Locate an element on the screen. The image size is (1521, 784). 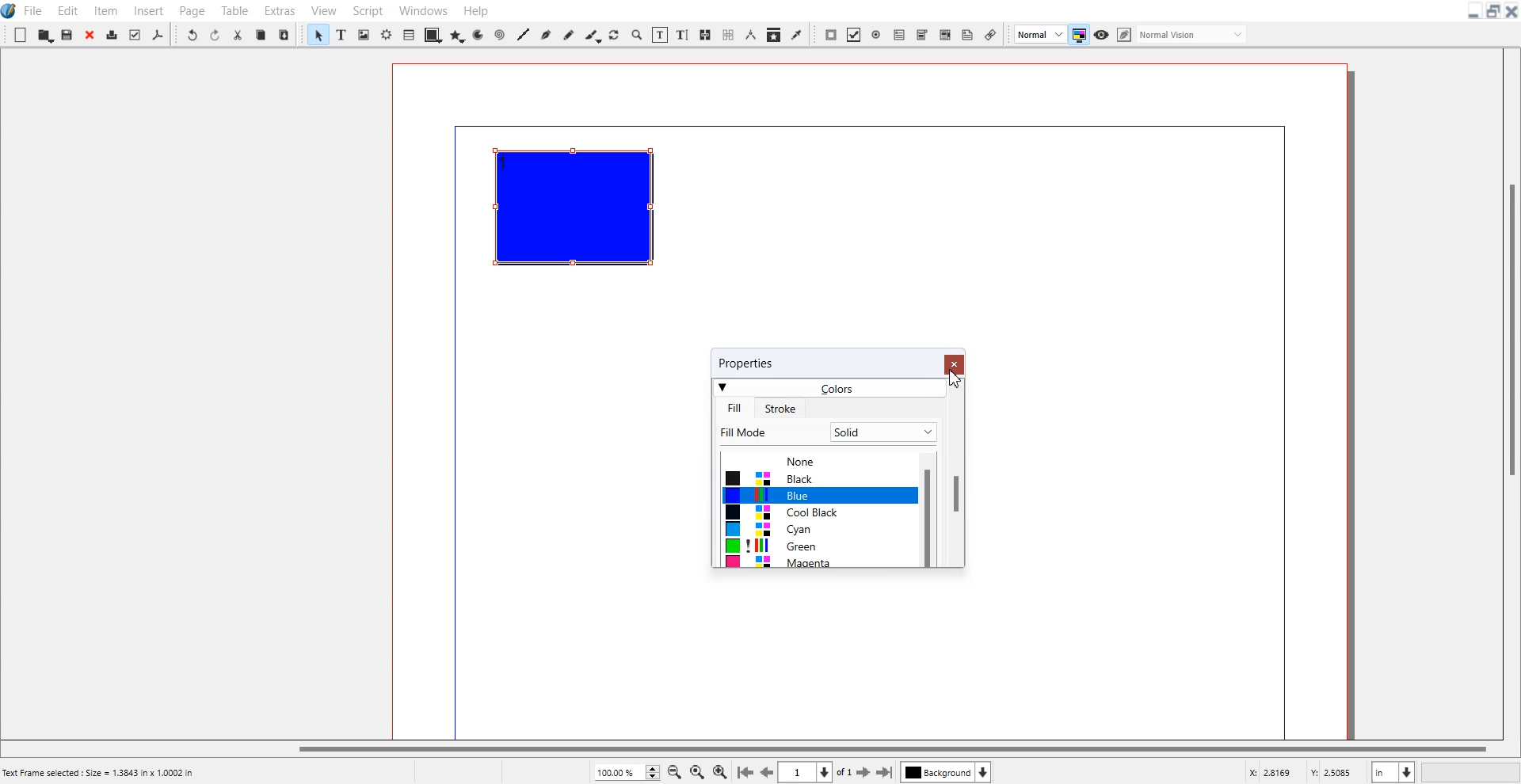
Table is located at coordinates (409, 34).